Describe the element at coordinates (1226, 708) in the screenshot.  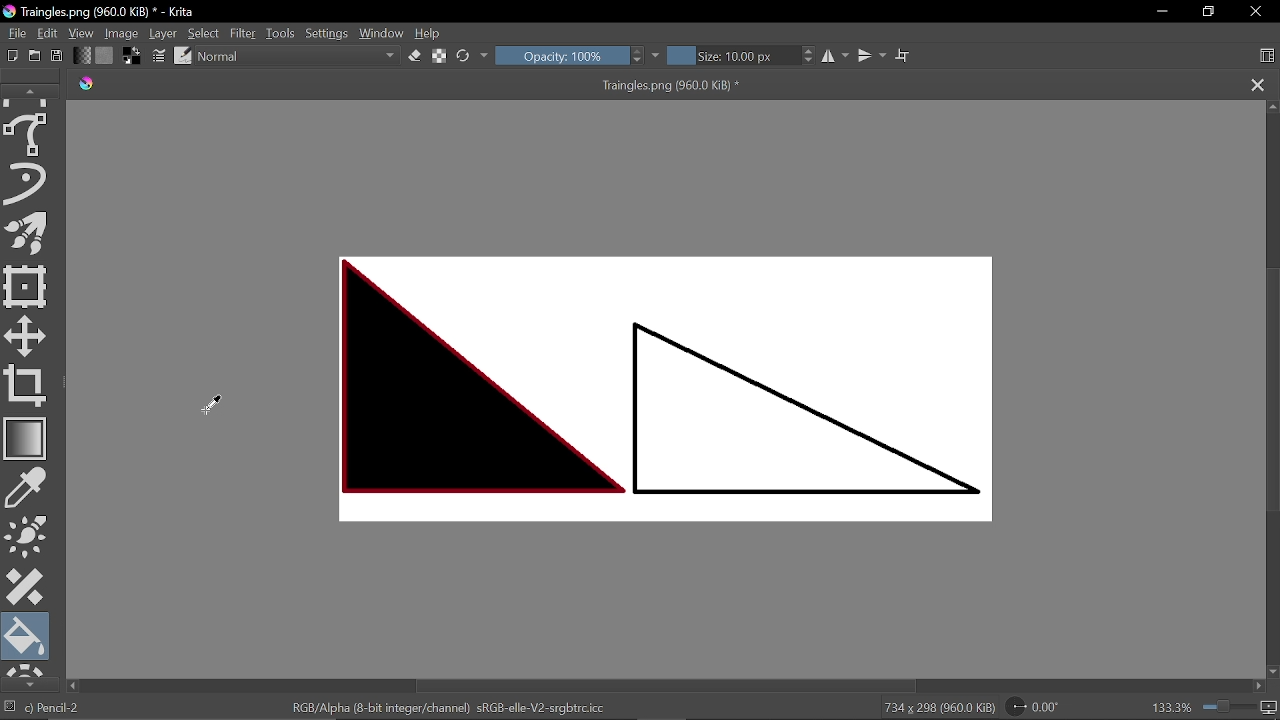
I see `Zoom` at that location.